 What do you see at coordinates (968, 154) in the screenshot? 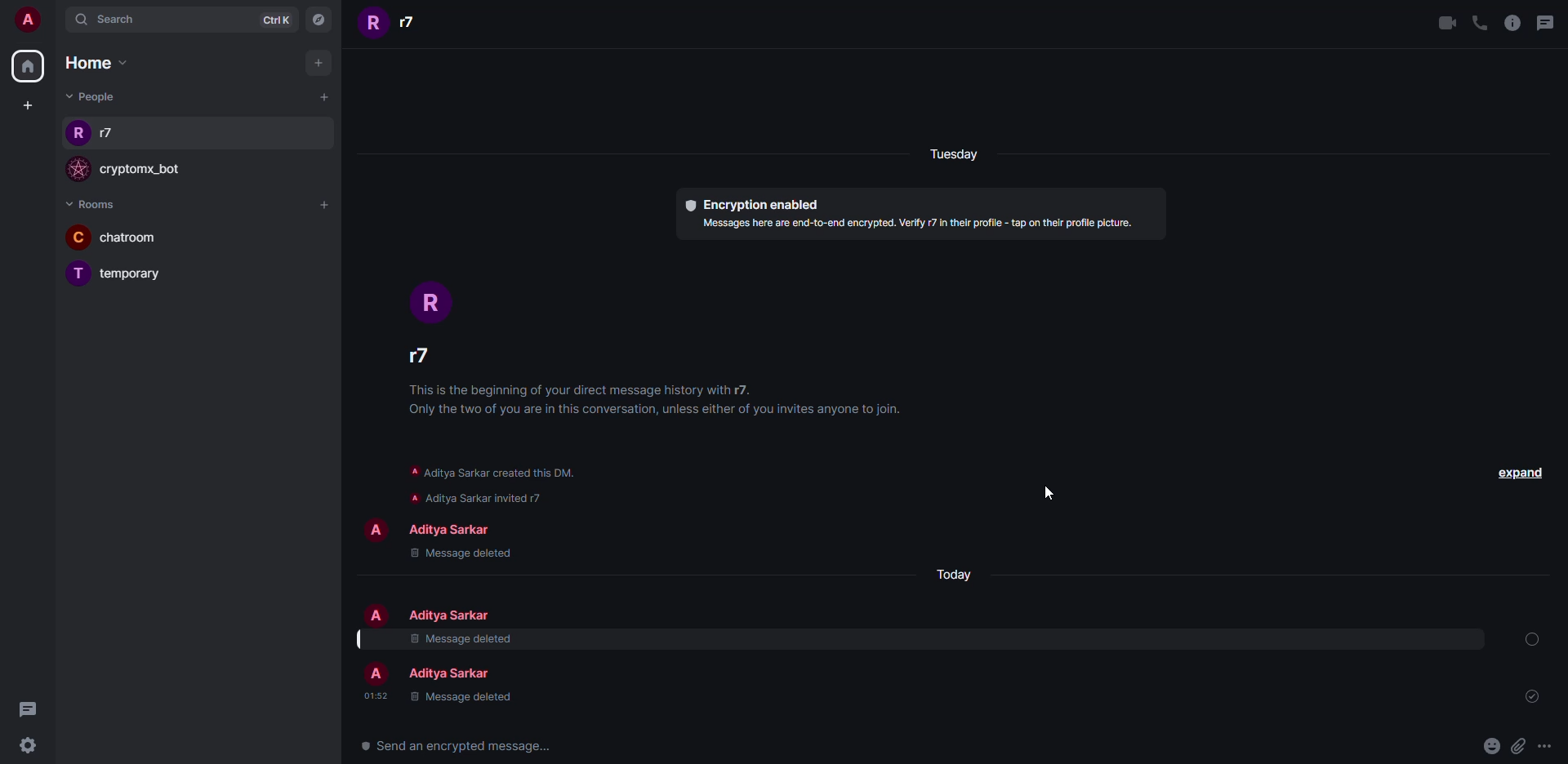
I see `day` at bounding box center [968, 154].